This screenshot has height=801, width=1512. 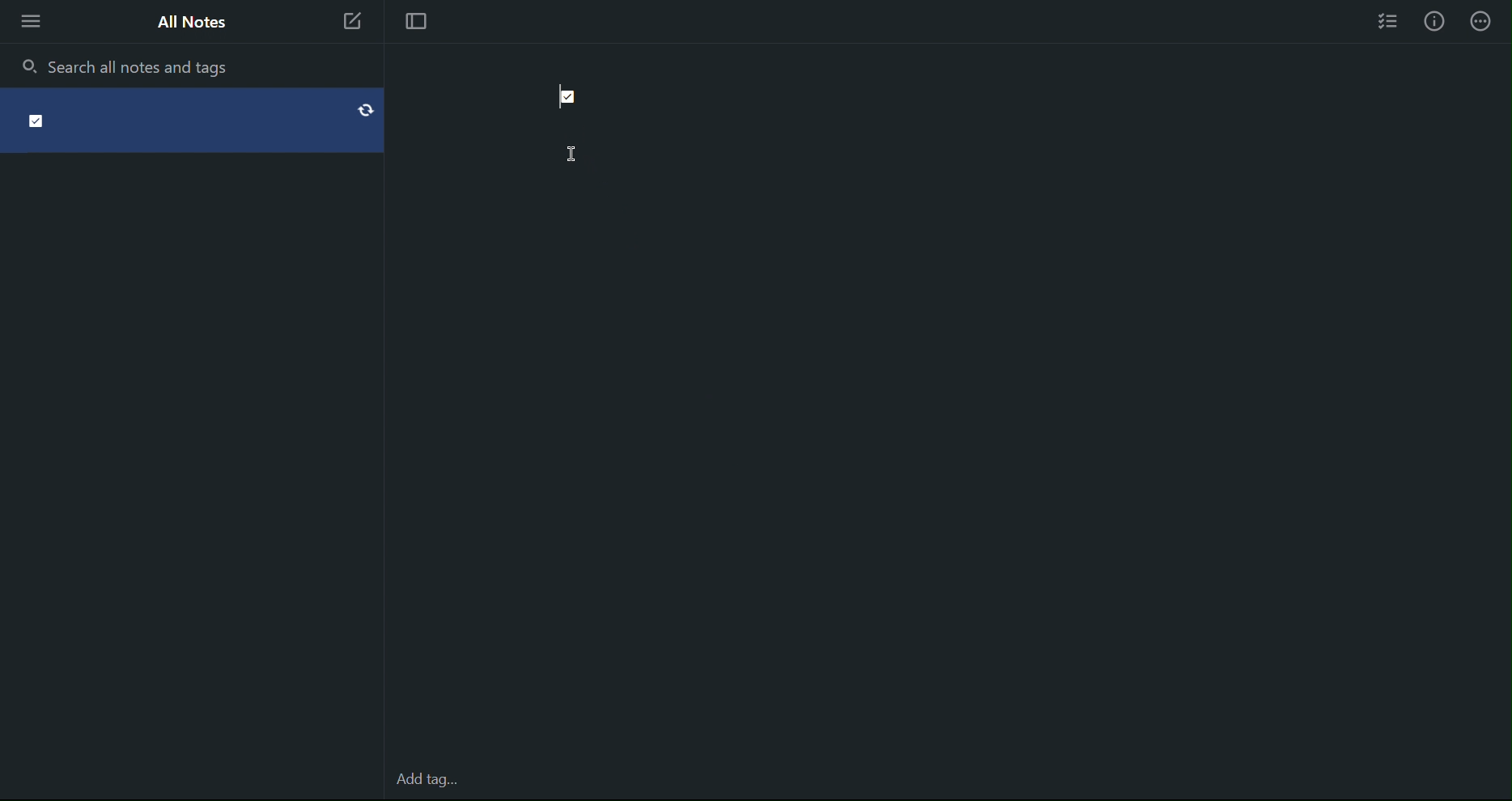 What do you see at coordinates (571, 153) in the screenshot?
I see `Cursor` at bounding box center [571, 153].